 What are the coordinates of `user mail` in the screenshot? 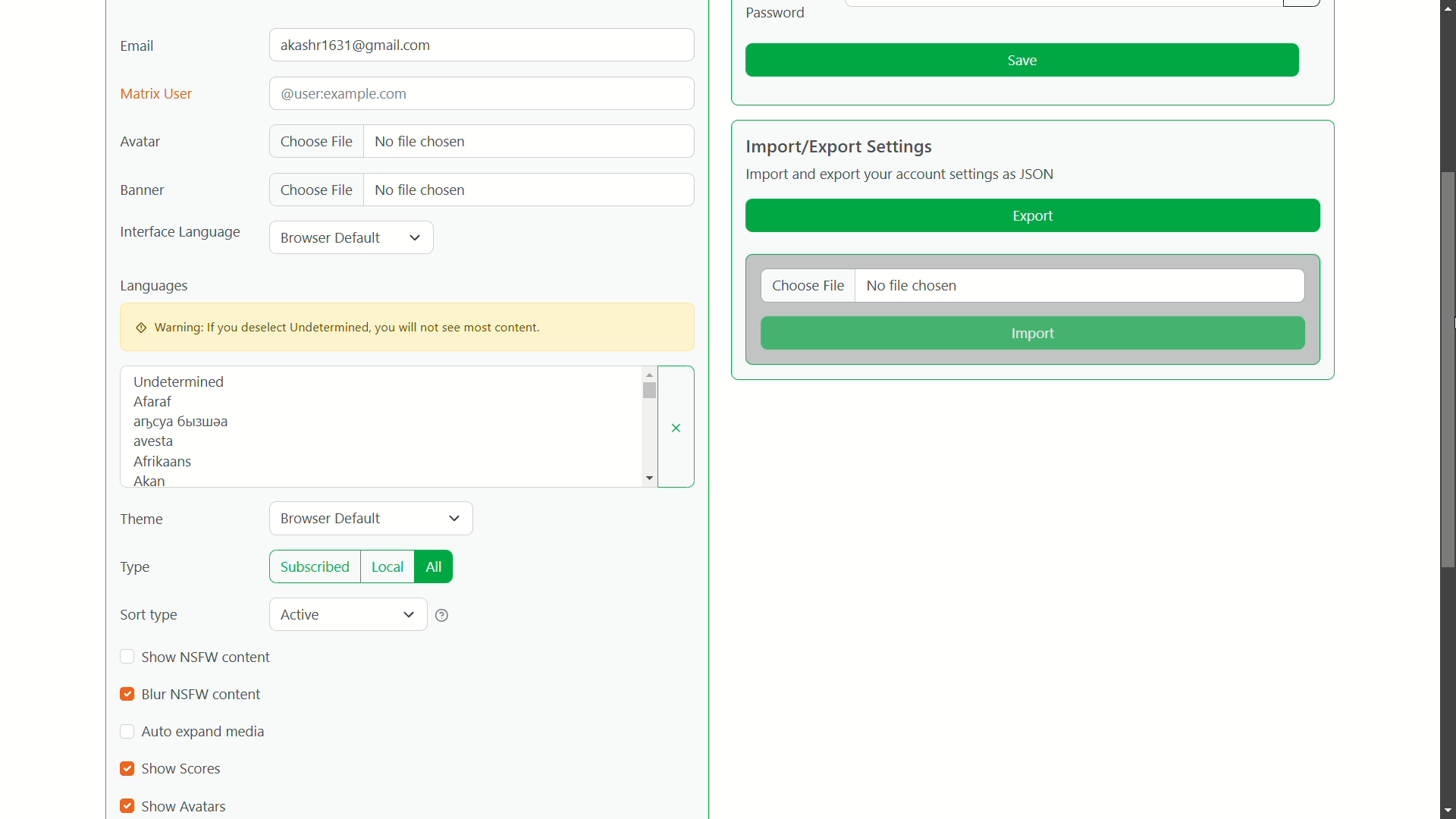 It's located at (359, 45).